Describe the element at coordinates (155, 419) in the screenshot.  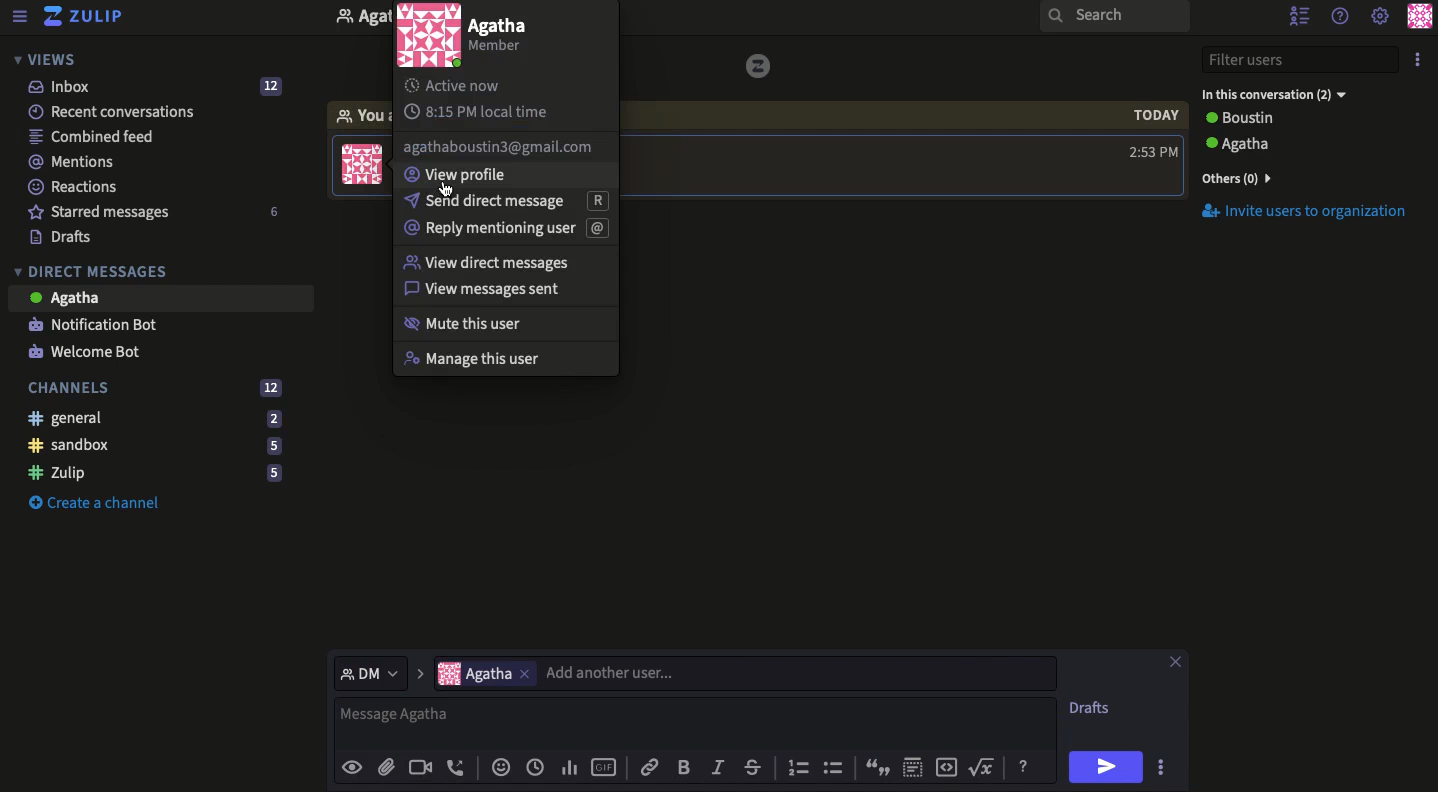
I see `General` at that location.